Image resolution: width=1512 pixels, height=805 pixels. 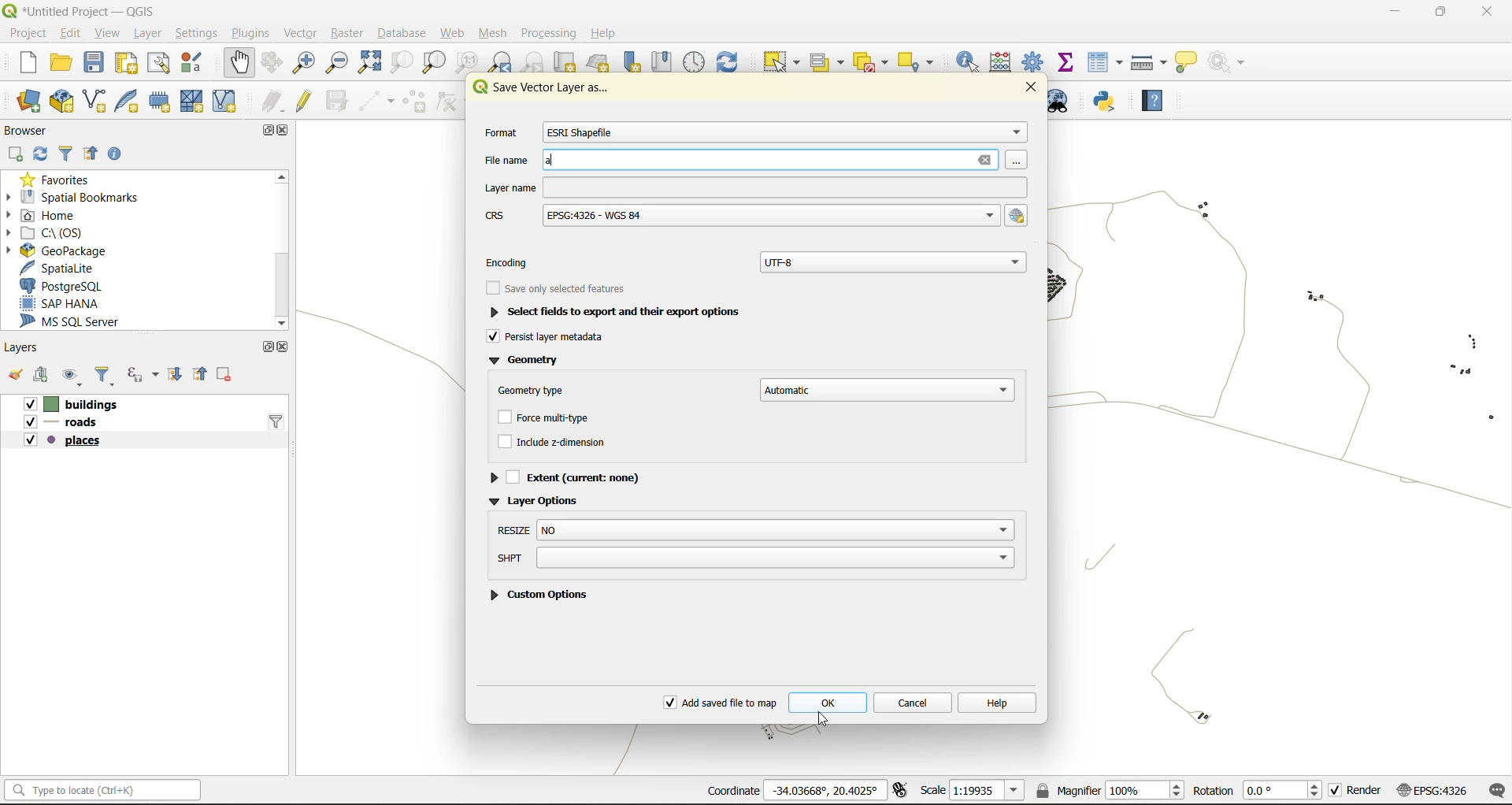 I want to click on raster, so click(x=349, y=35).